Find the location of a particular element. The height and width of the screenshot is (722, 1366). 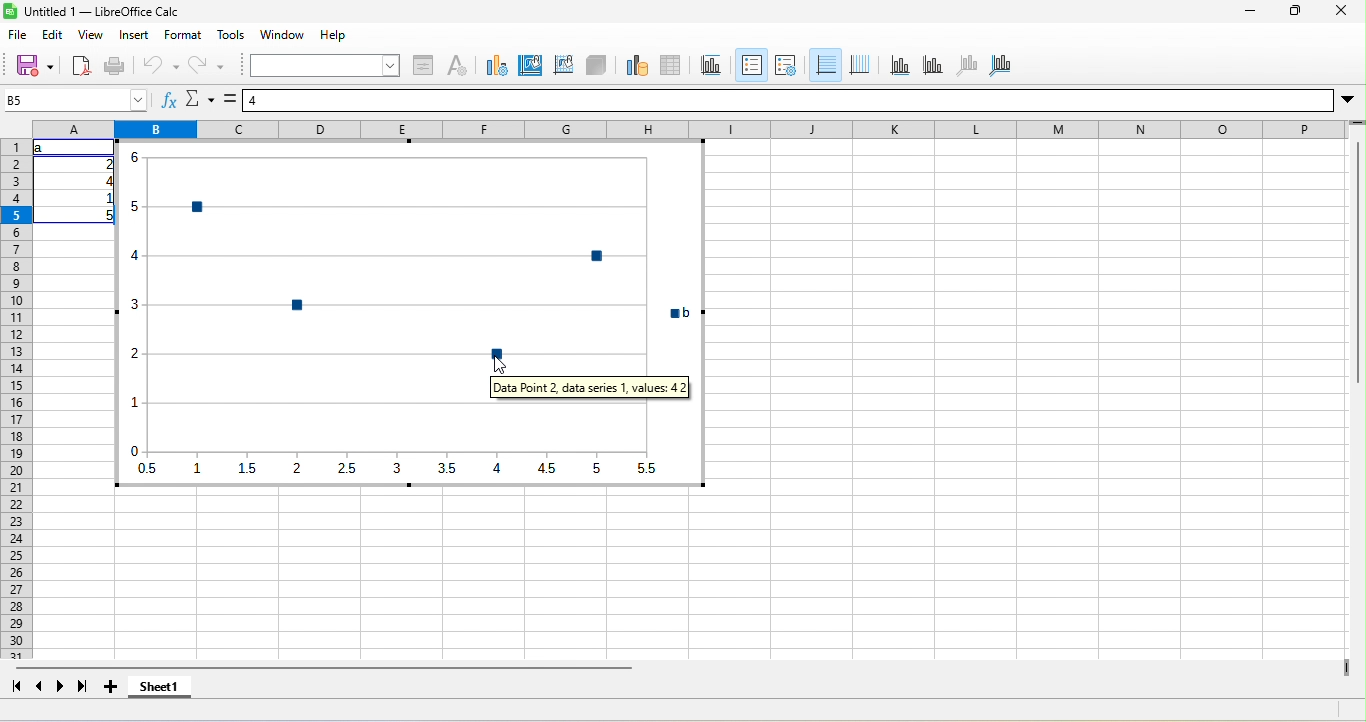

help is located at coordinates (333, 35).